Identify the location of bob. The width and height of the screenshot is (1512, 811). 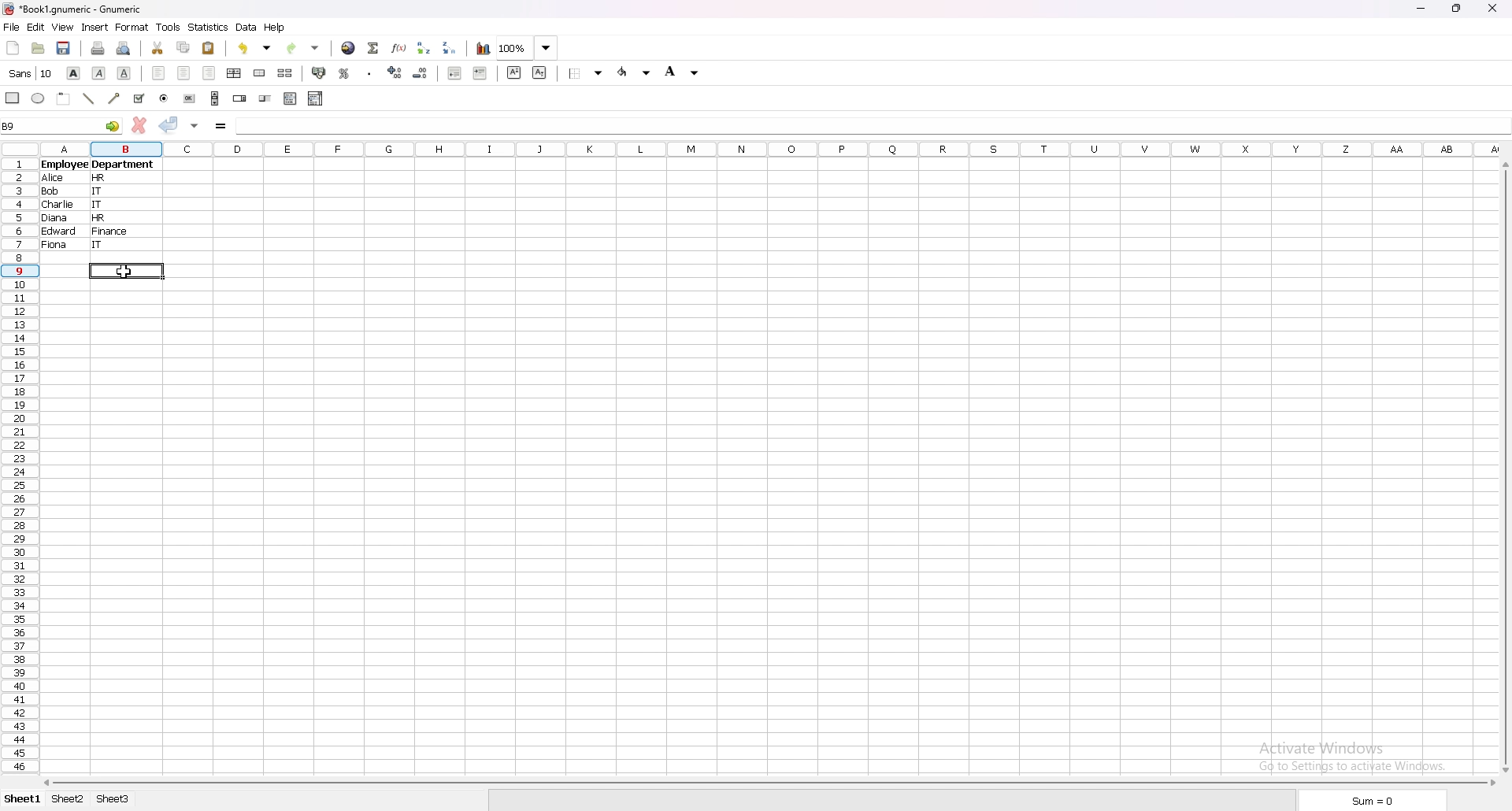
(51, 193).